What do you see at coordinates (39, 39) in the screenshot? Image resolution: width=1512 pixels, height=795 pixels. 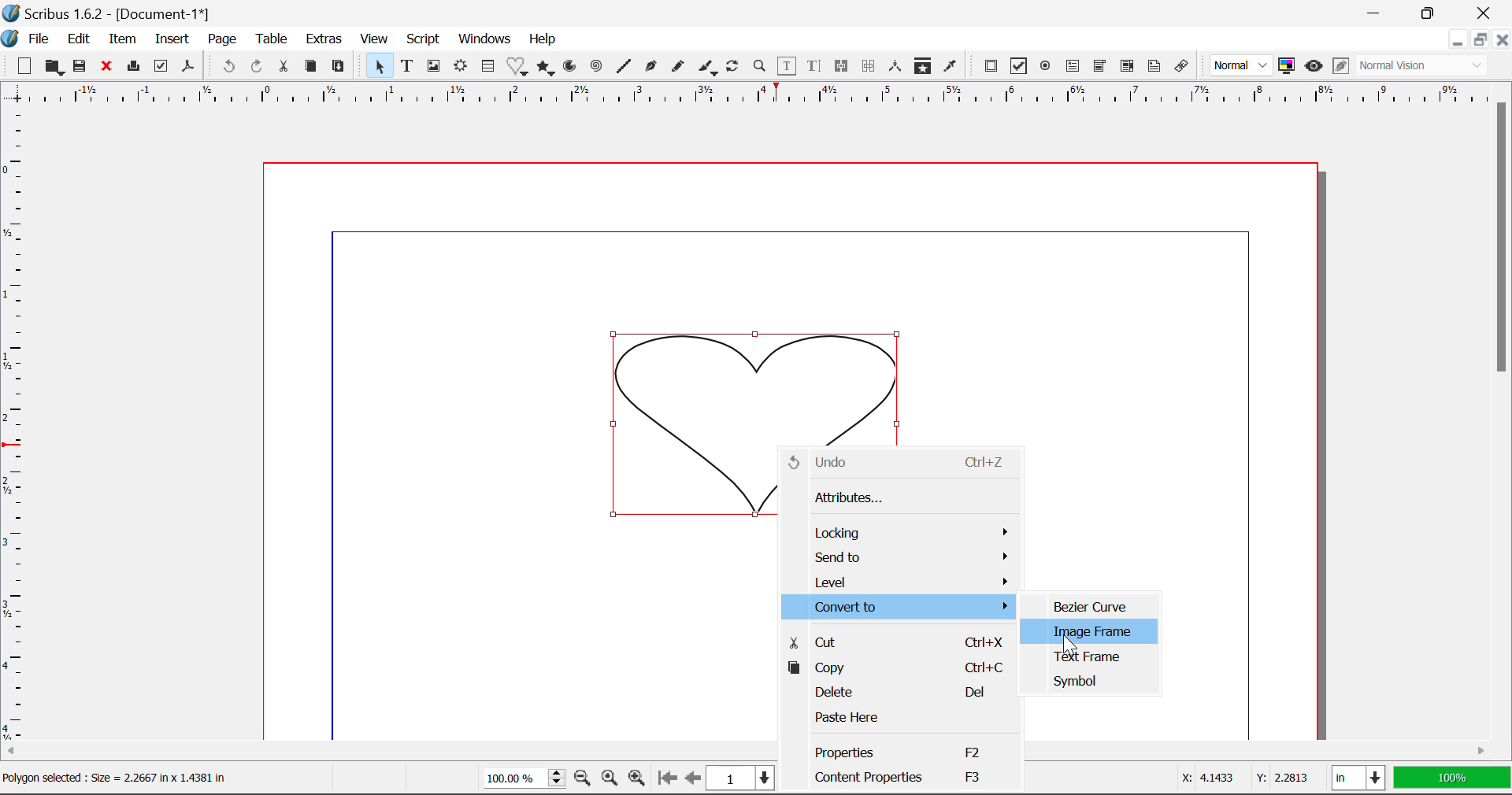 I see `File` at bounding box center [39, 39].